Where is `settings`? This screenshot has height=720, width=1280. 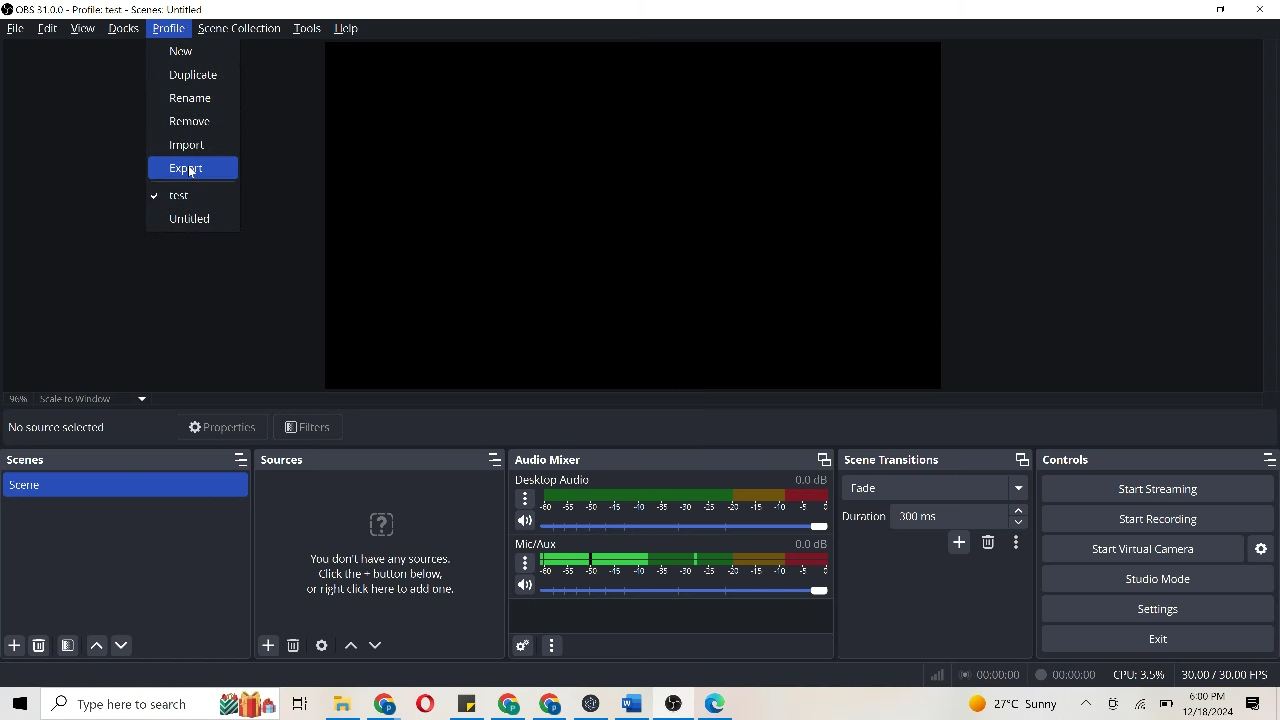 settings is located at coordinates (1168, 609).